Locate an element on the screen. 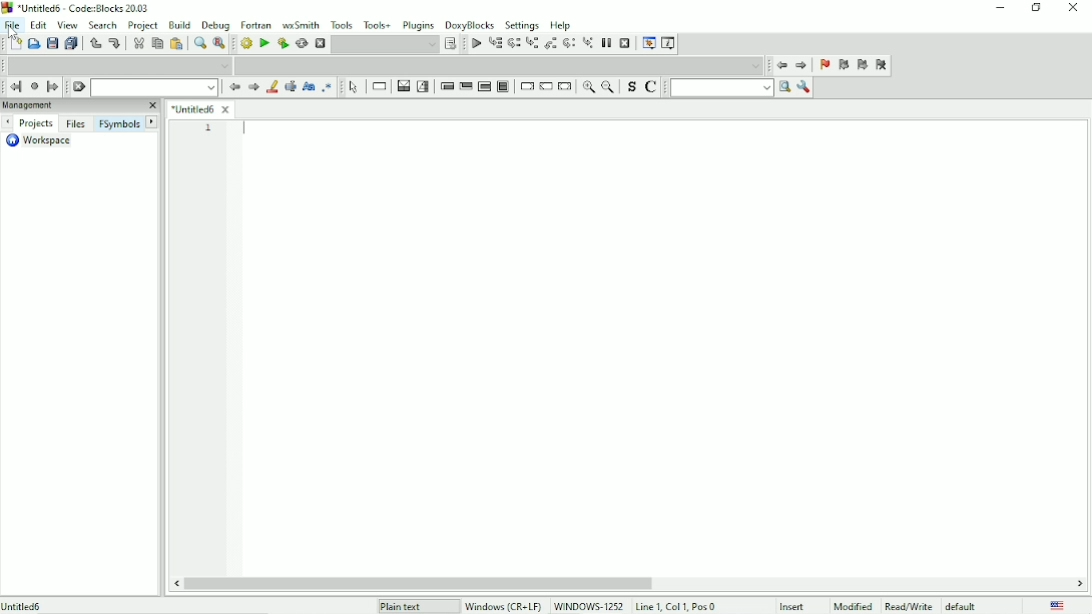  Jump back is located at coordinates (781, 66).